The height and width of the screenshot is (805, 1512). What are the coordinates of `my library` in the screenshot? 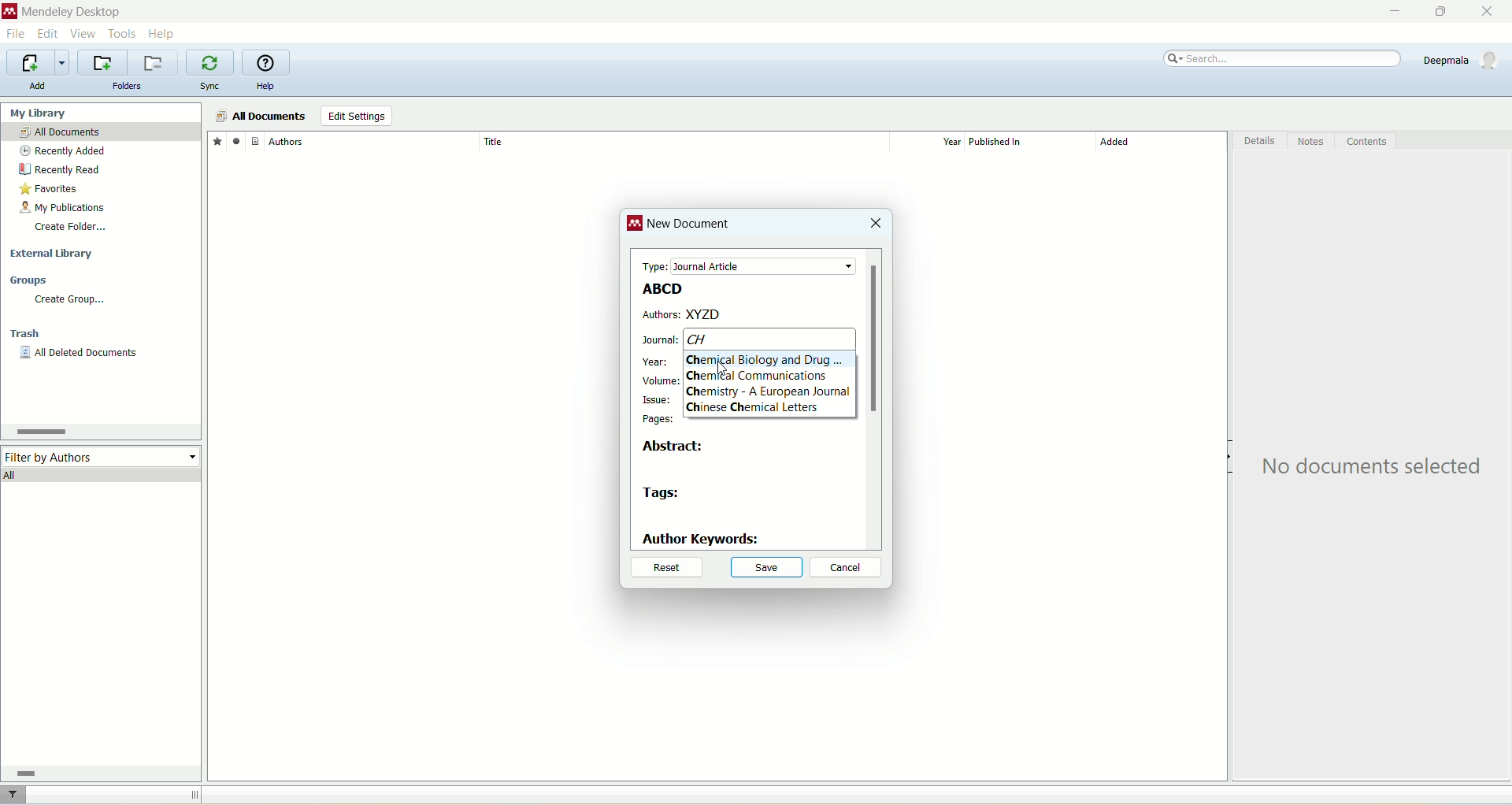 It's located at (40, 113).